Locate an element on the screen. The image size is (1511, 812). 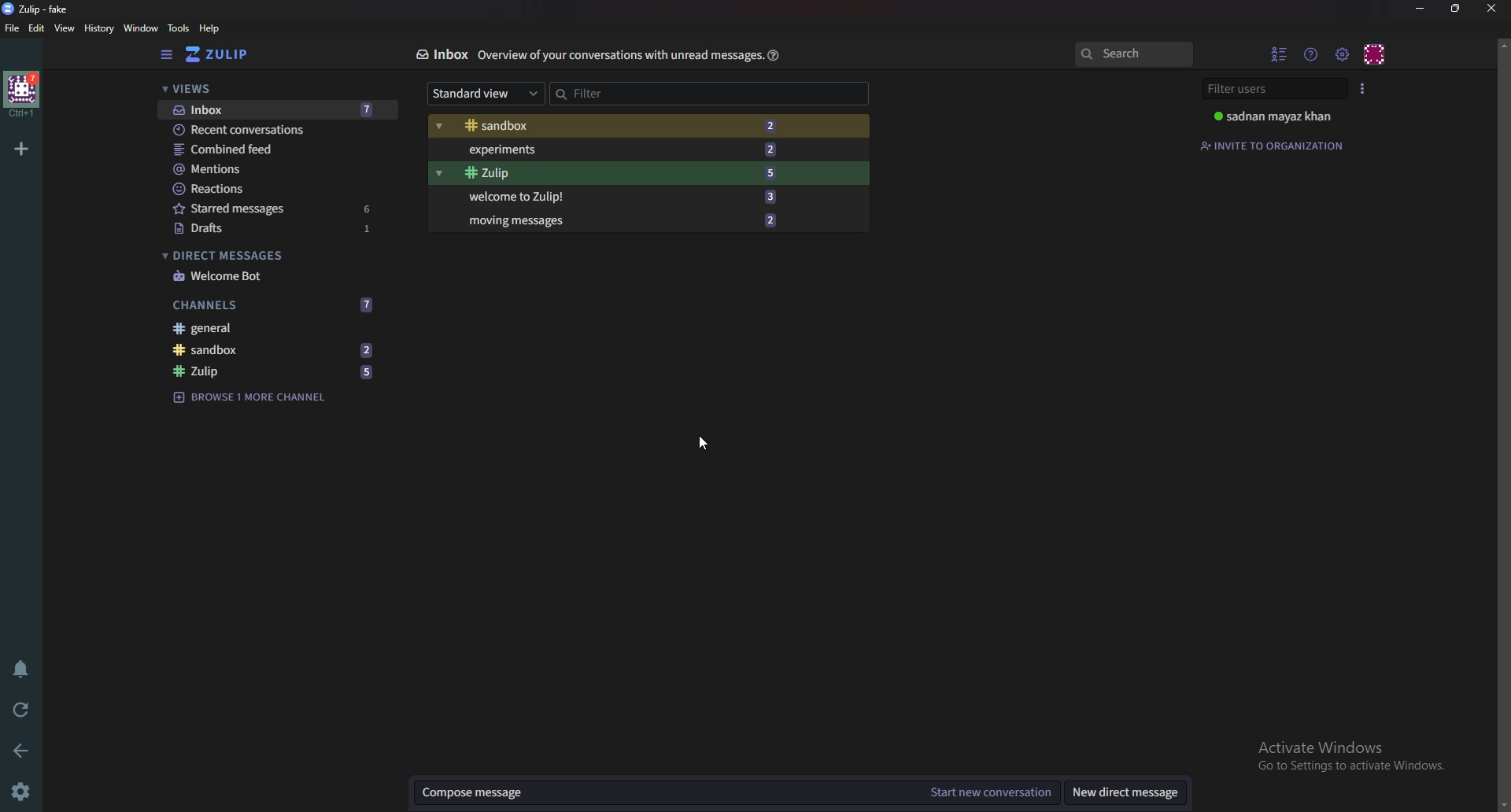
cursor is located at coordinates (702, 441).